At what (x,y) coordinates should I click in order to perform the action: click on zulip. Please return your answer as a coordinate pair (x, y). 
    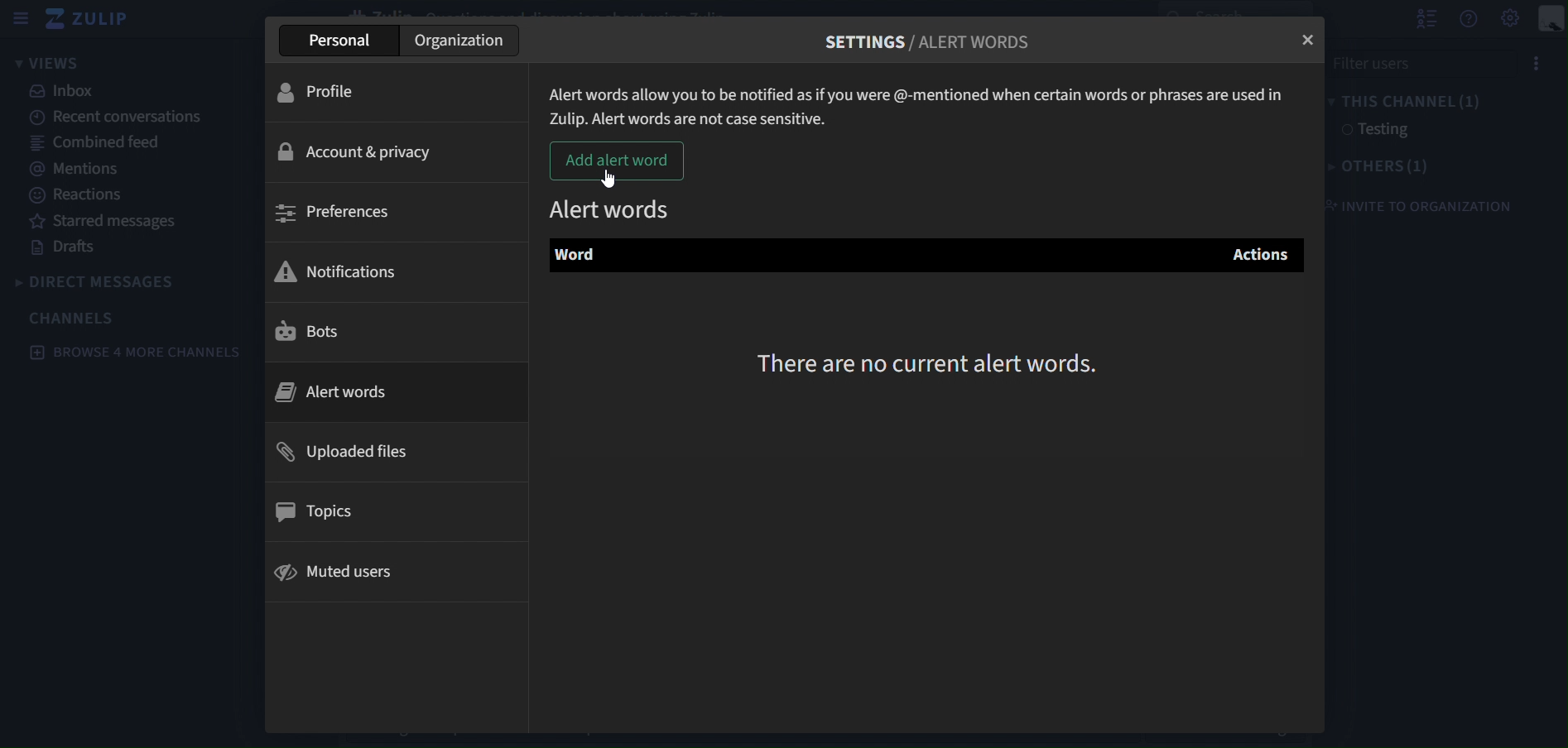
    Looking at the image, I should click on (95, 20).